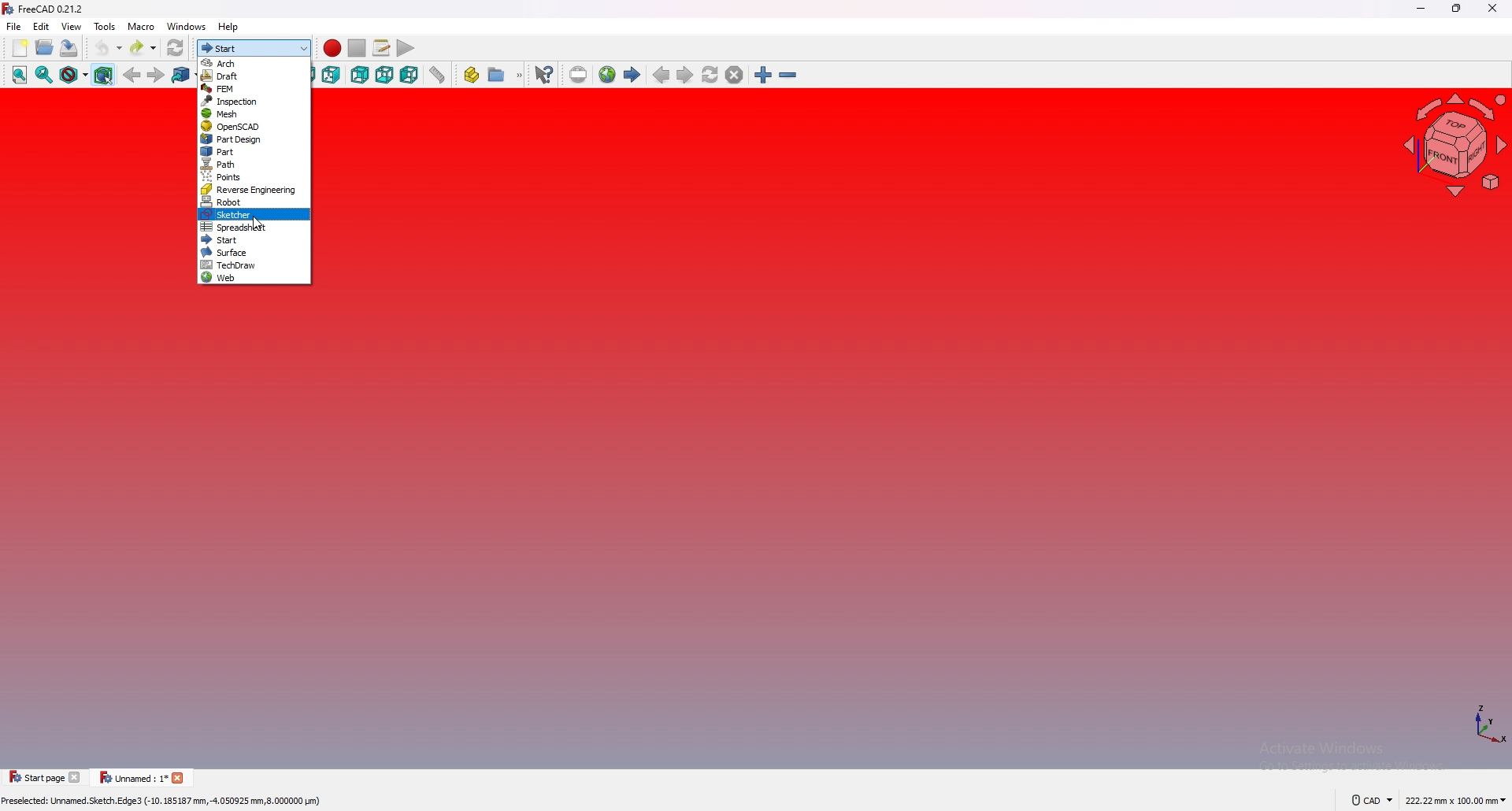  I want to click on redo, so click(144, 47).